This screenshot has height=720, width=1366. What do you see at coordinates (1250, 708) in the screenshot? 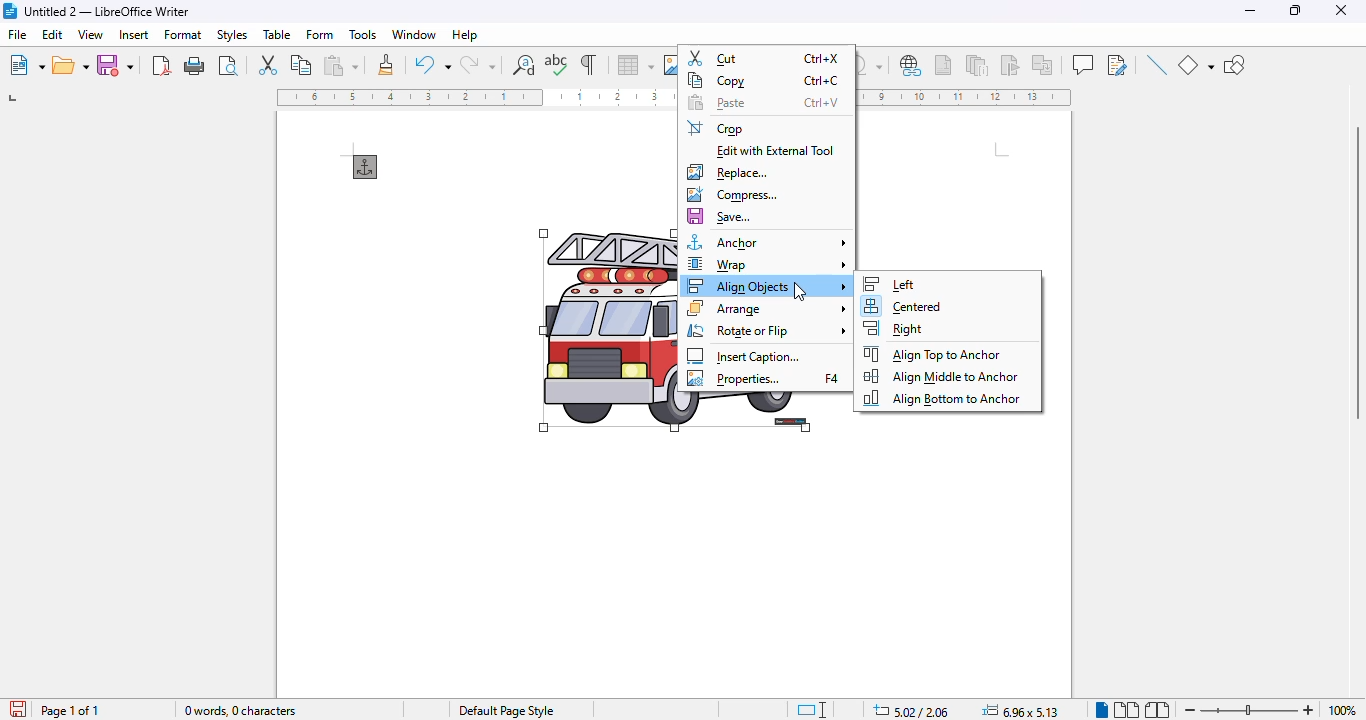
I see `zoom slider` at bounding box center [1250, 708].